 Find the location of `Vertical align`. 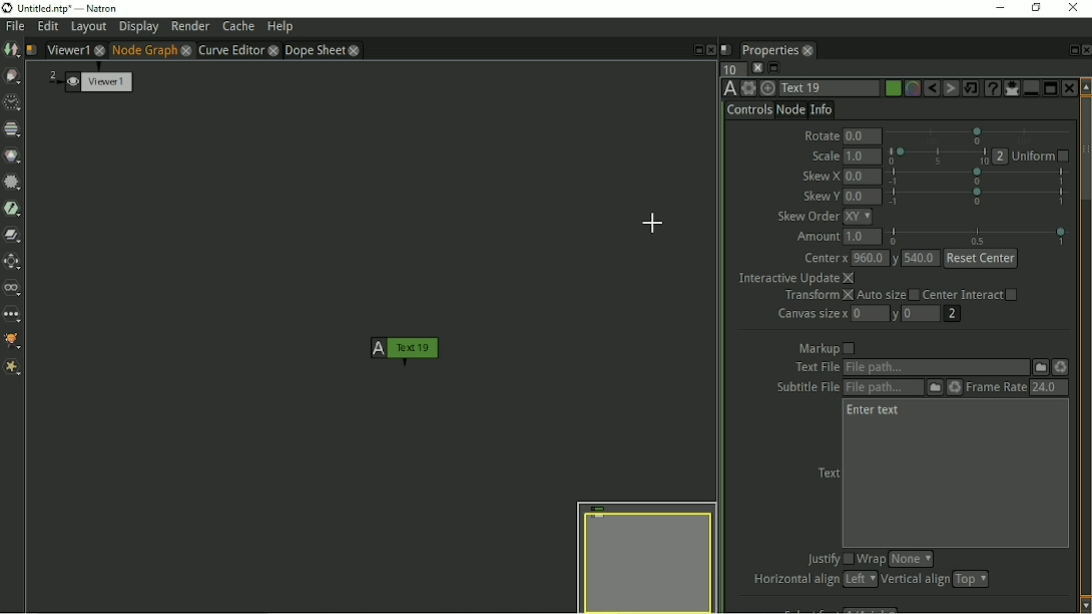

Vertical align is located at coordinates (914, 580).